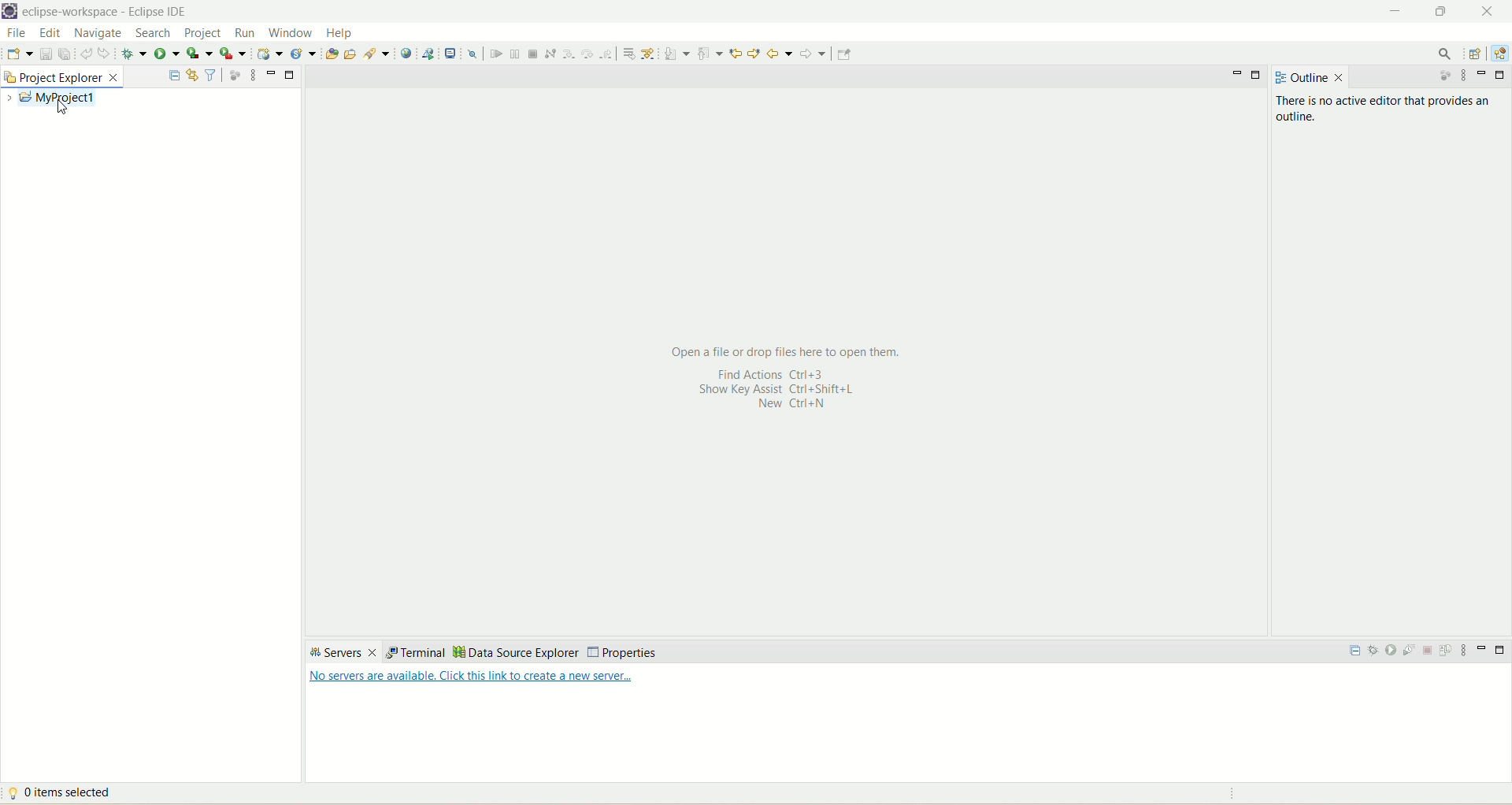  I want to click on text, so click(472, 680).